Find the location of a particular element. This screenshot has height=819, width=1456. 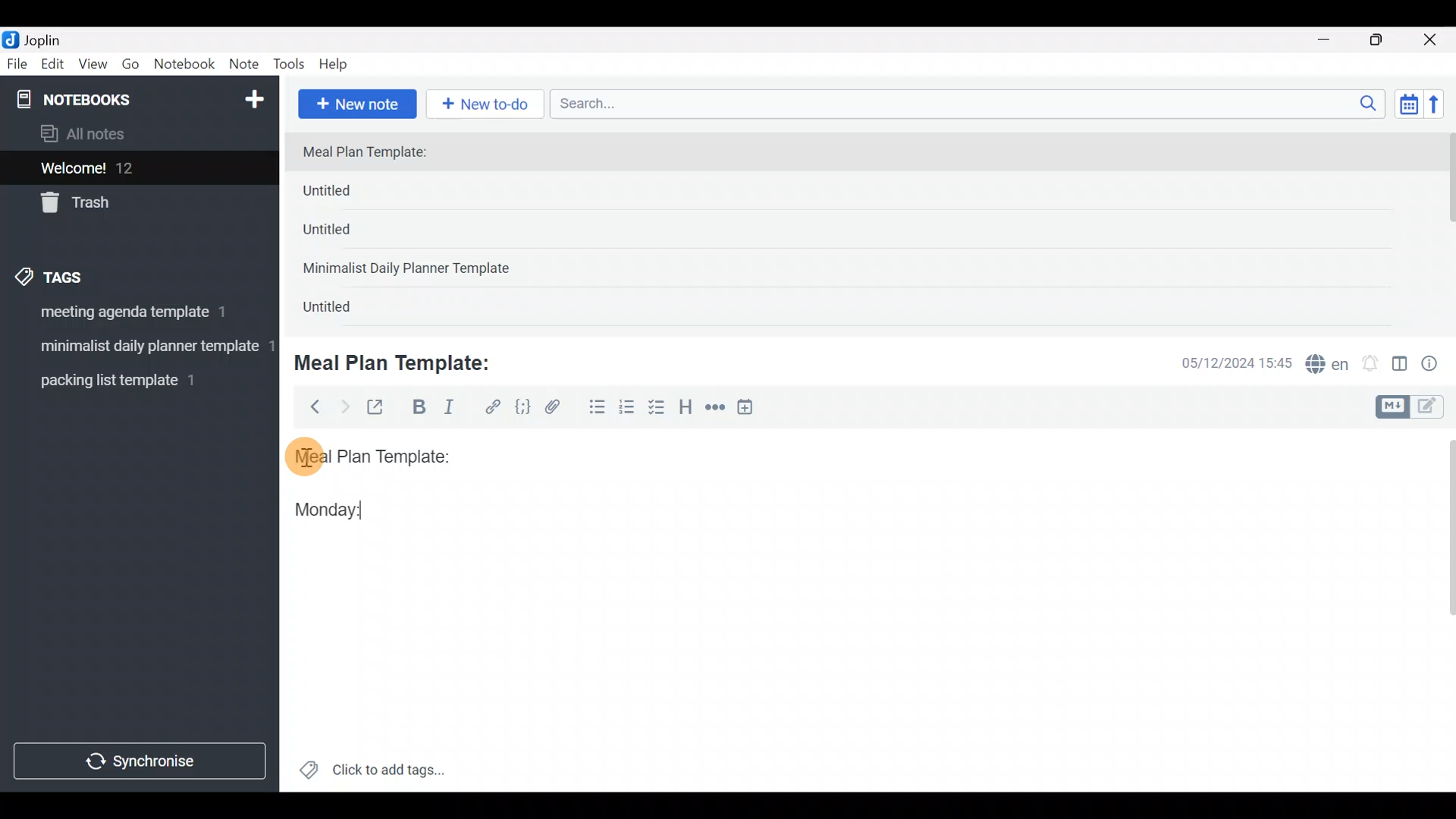

Bold is located at coordinates (418, 409).